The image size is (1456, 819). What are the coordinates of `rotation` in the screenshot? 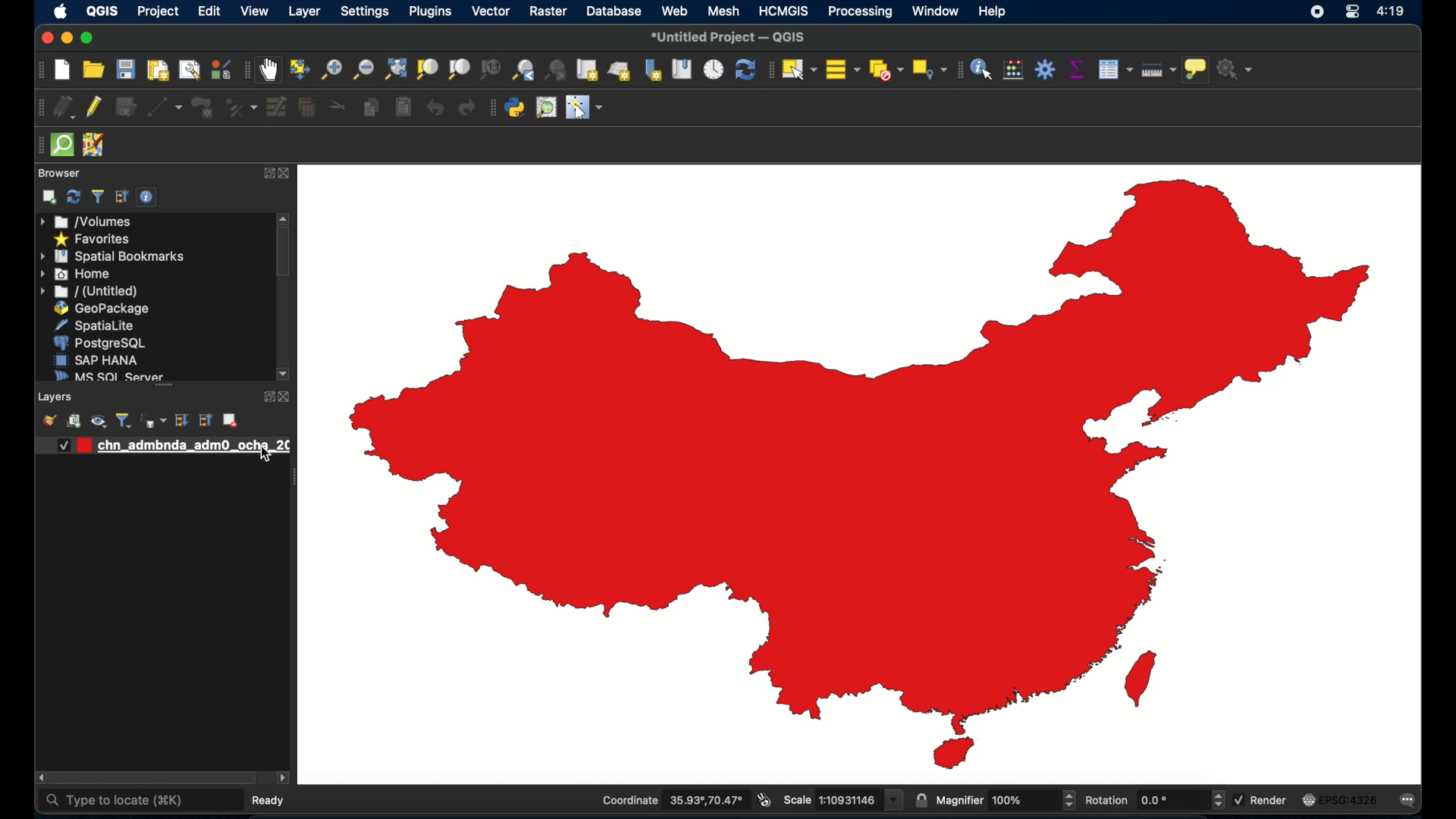 It's located at (1147, 800).